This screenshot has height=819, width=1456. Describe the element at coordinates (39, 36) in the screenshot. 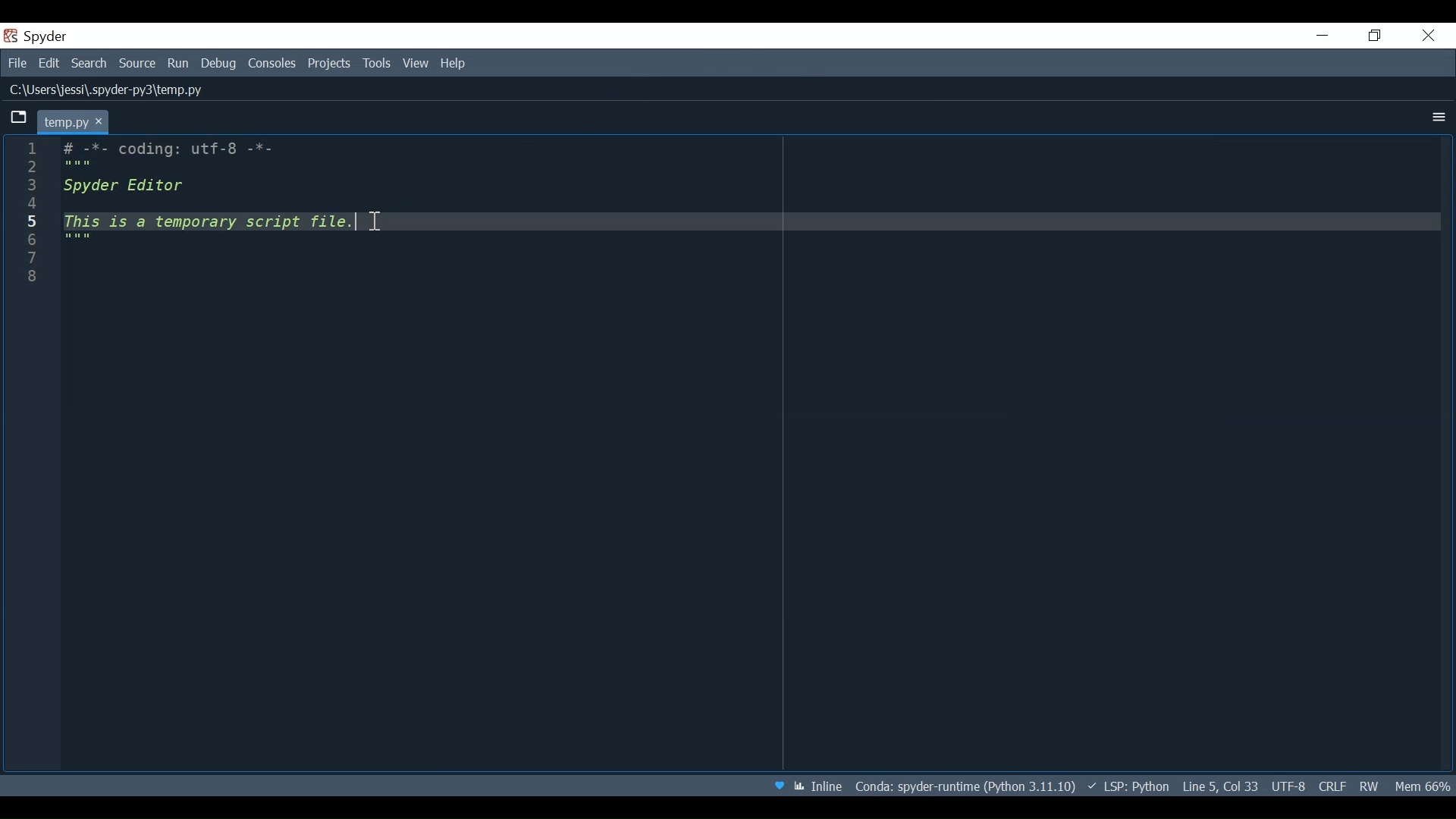

I see `Spyder Desktop Icon` at that location.